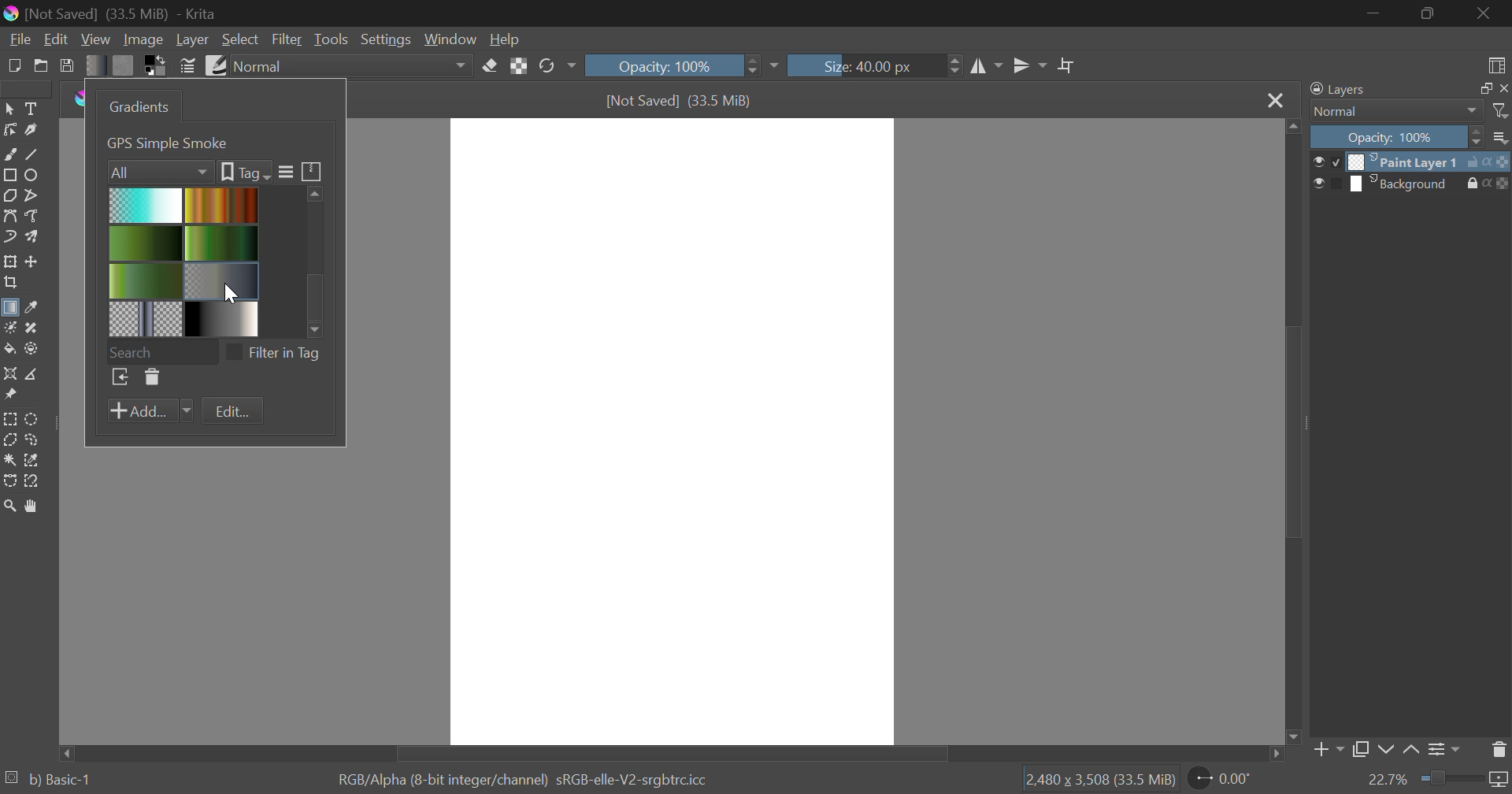  I want to click on Layers, so click(1338, 90).